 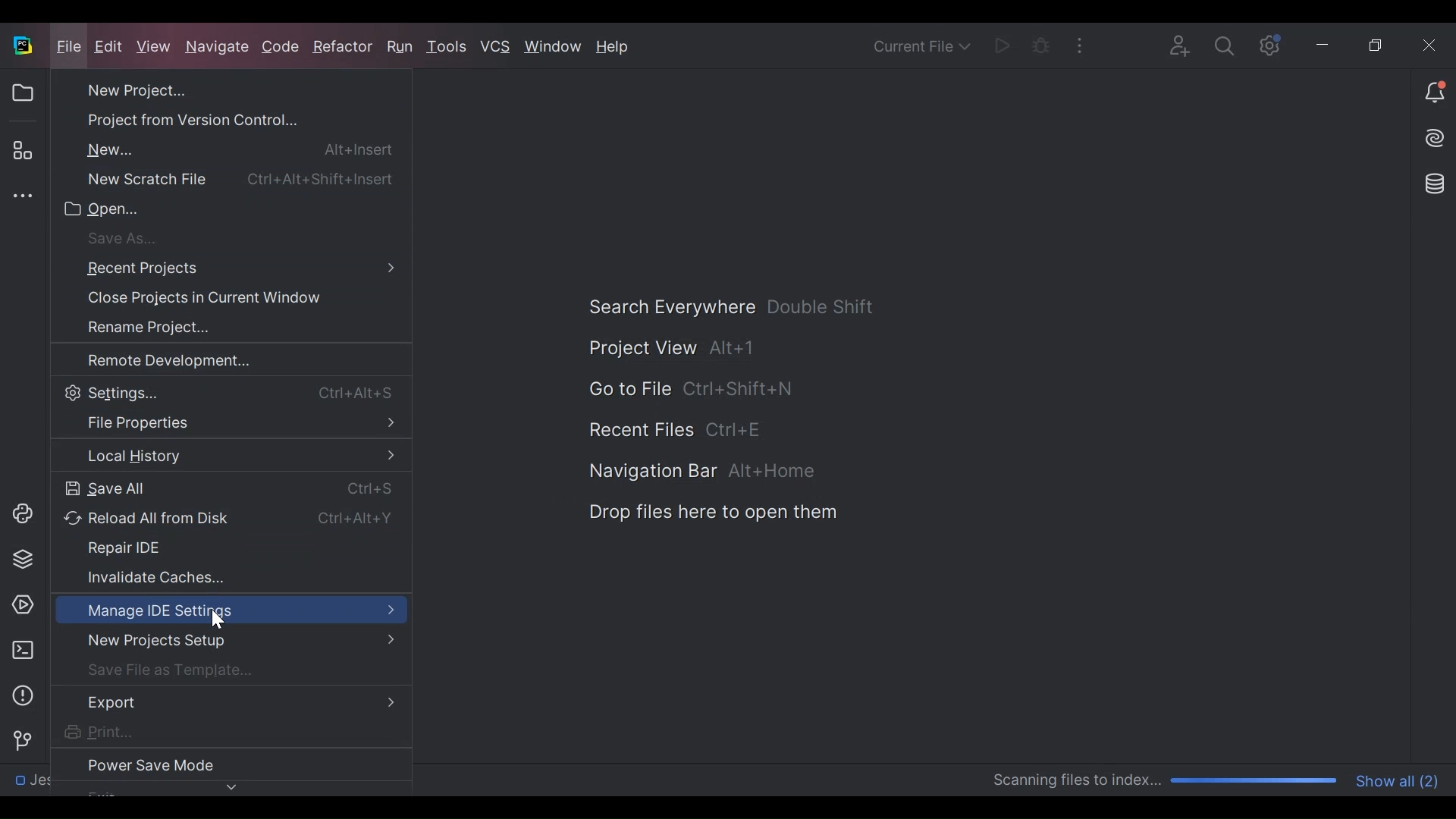 What do you see at coordinates (228, 424) in the screenshot?
I see `File Properties` at bounding box center [228, 424].